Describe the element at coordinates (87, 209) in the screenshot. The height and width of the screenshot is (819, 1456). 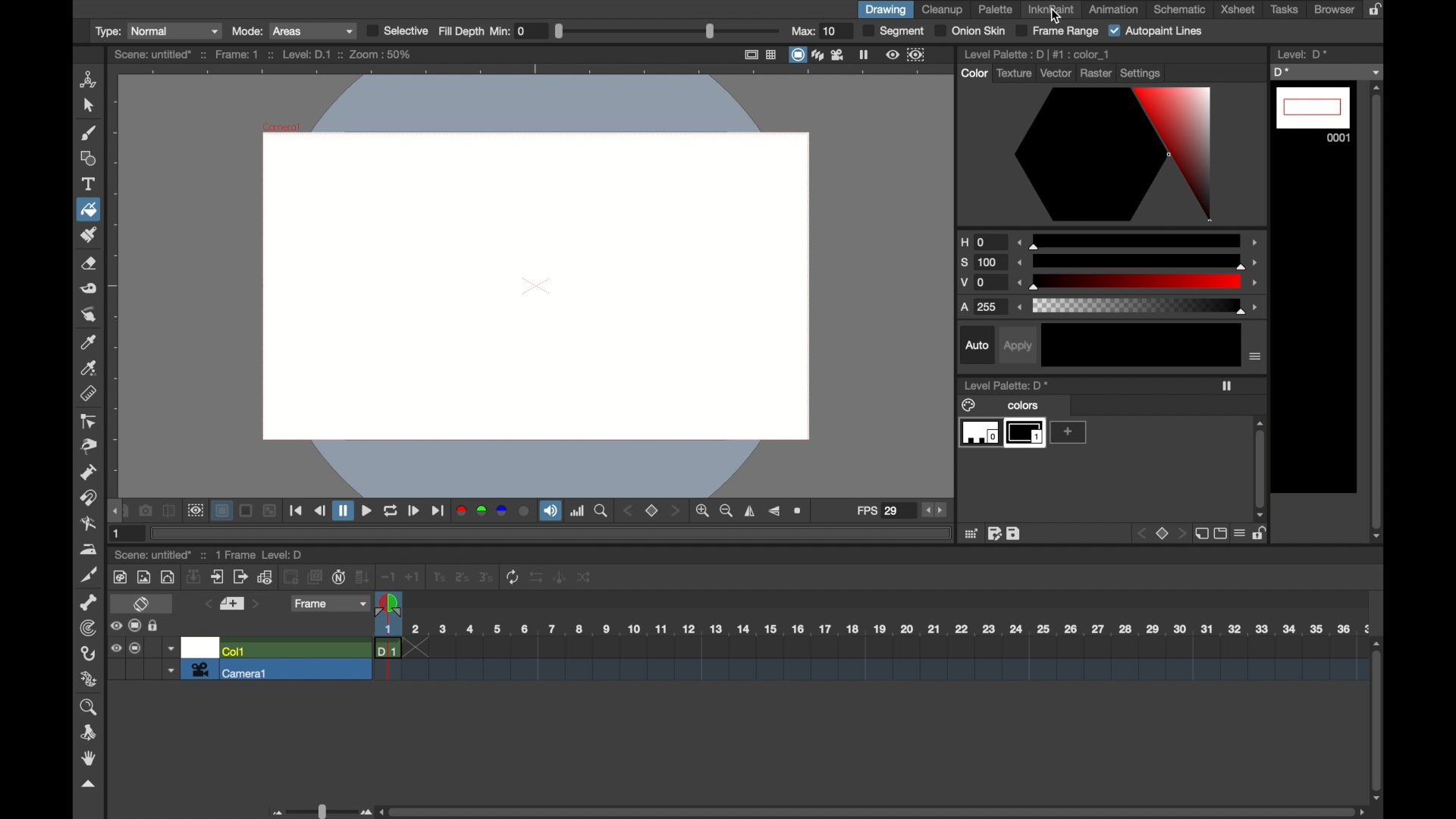
I see `fill tool` at that location.